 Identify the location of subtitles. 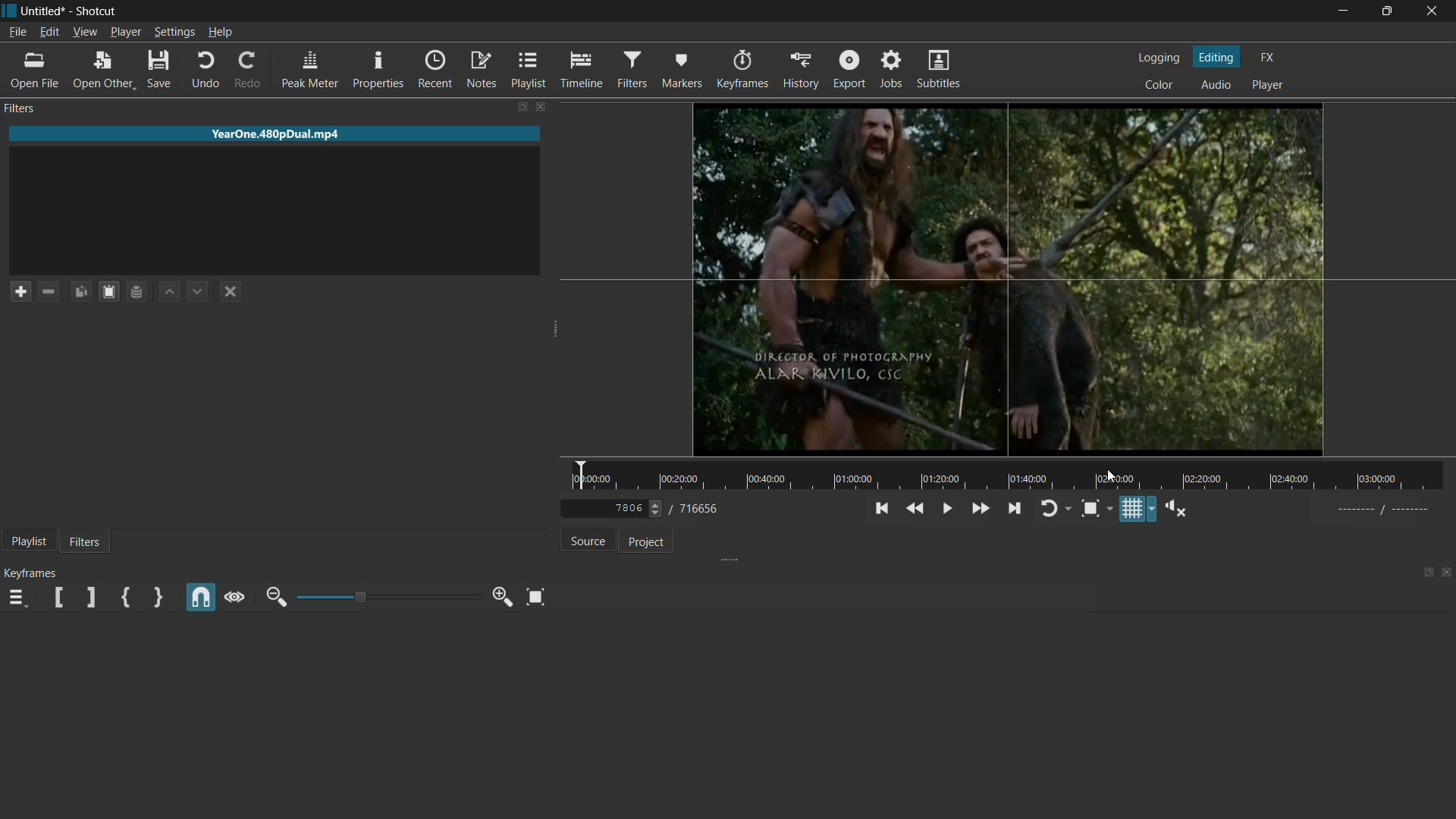
(940, 69).